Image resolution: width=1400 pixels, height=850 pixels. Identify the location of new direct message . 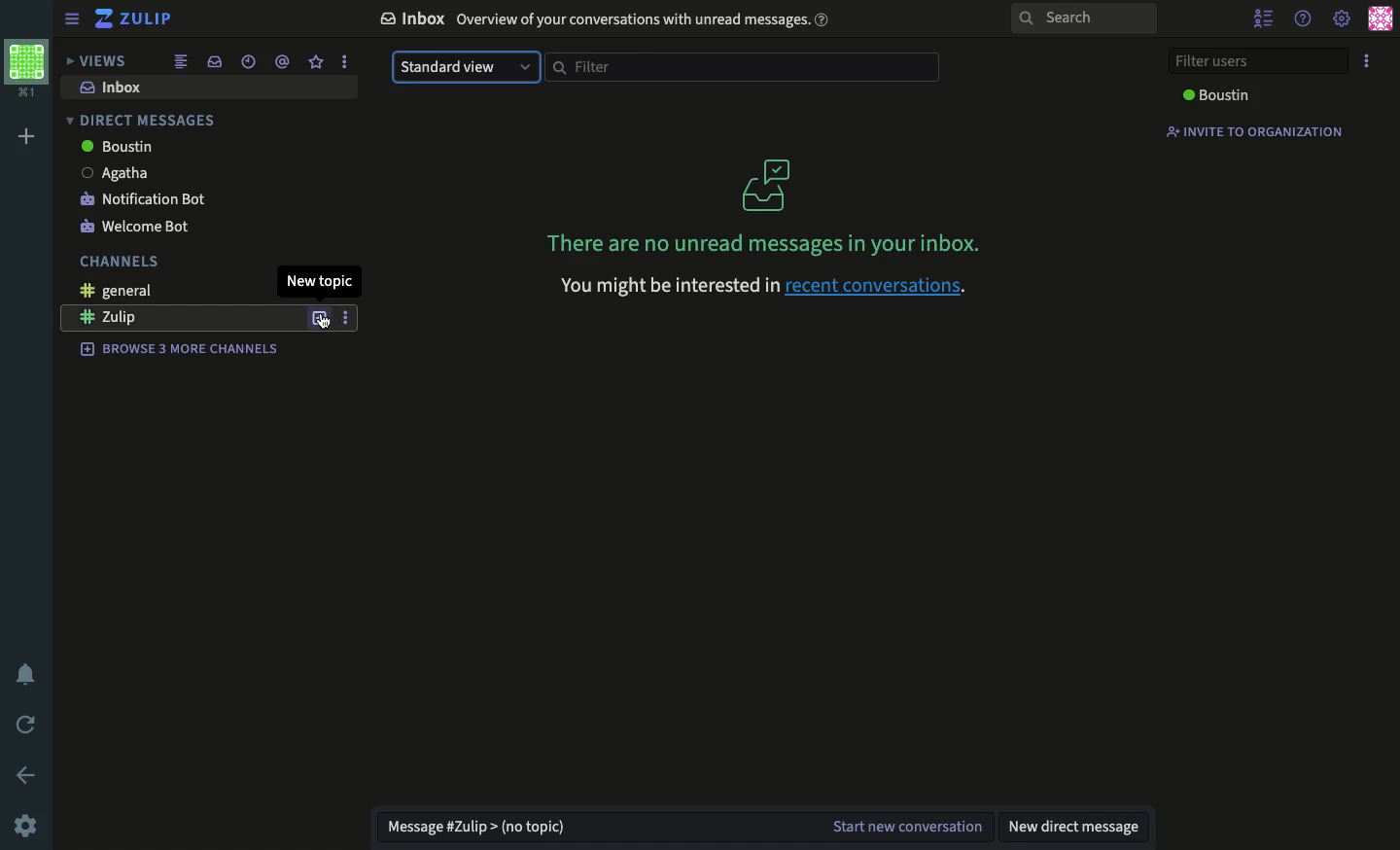
(1076, 822).